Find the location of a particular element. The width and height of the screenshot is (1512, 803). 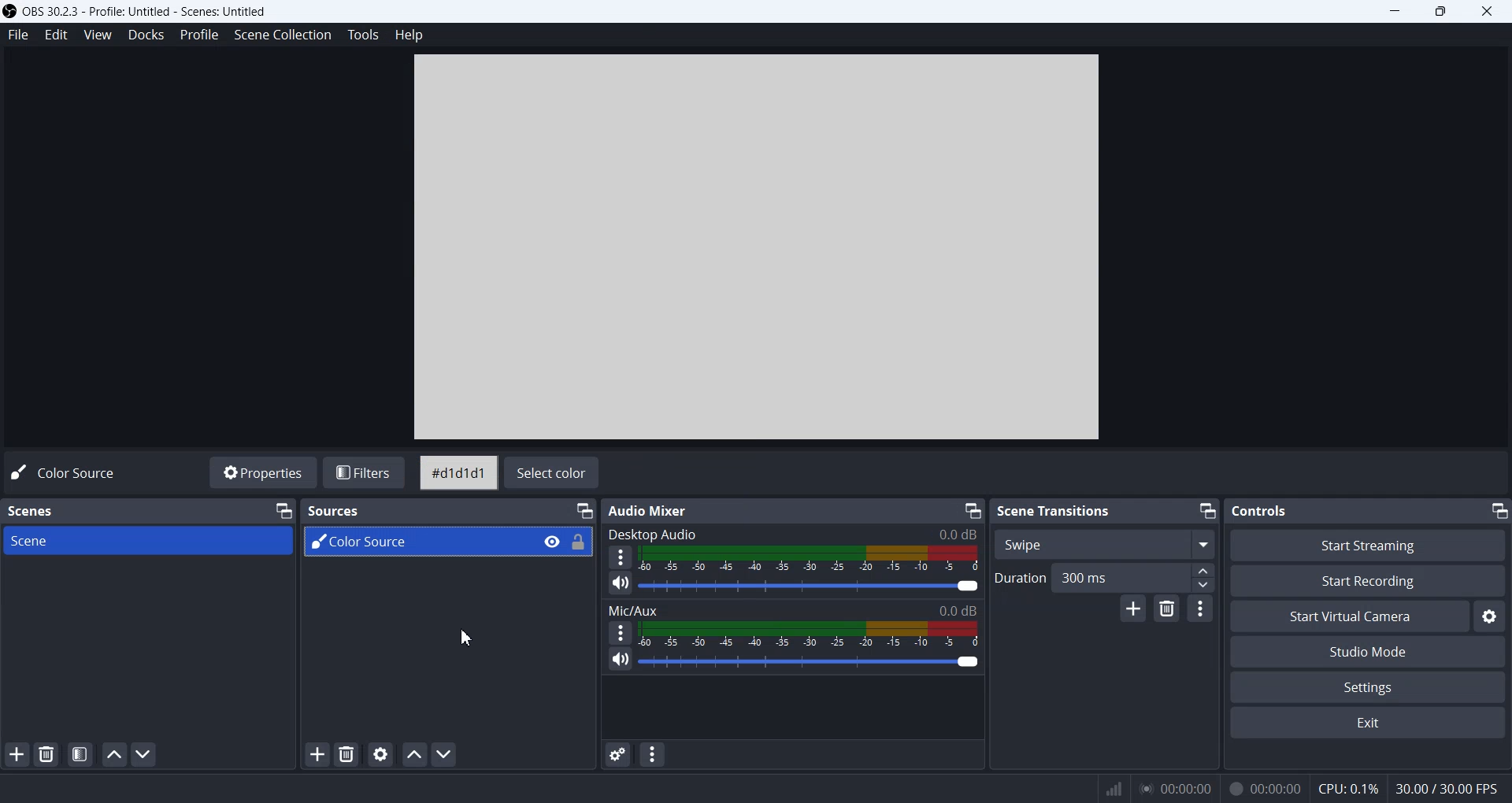

Scenes is located at coordinates (33, 510).